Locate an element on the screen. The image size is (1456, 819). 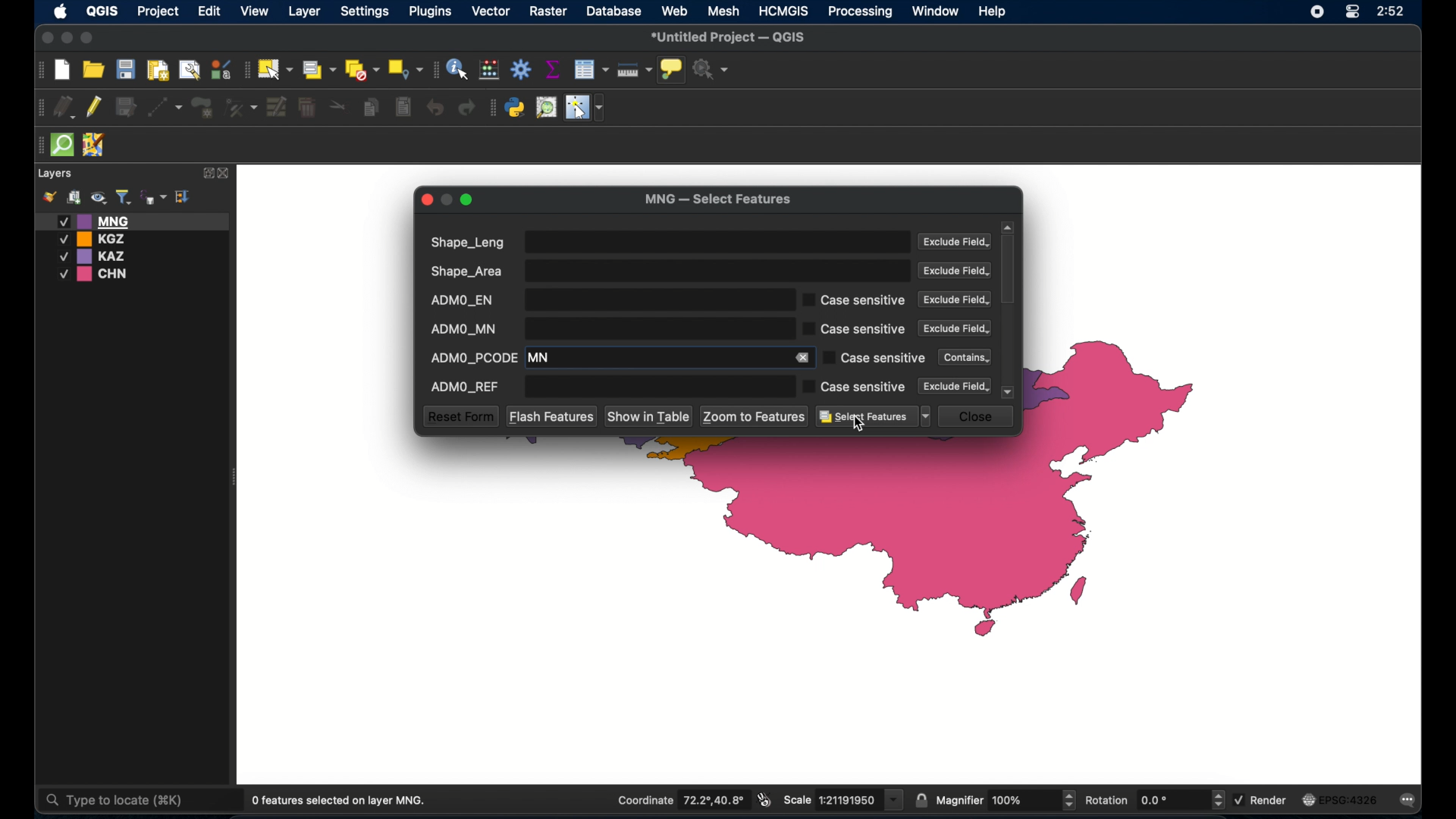
select by area or single click is located at coordinates (316, 68).